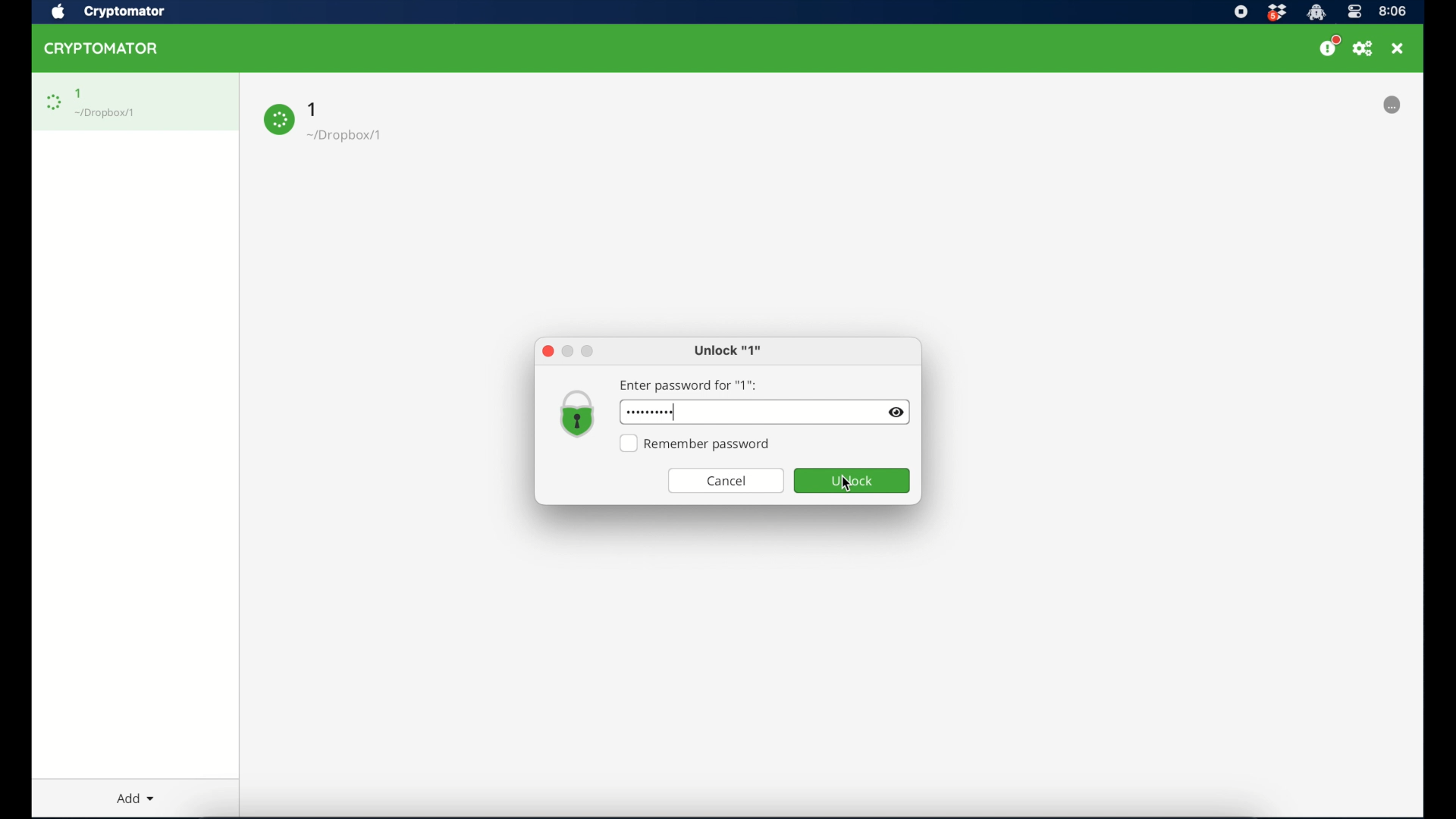  I want to click on close, so click(547, 351).